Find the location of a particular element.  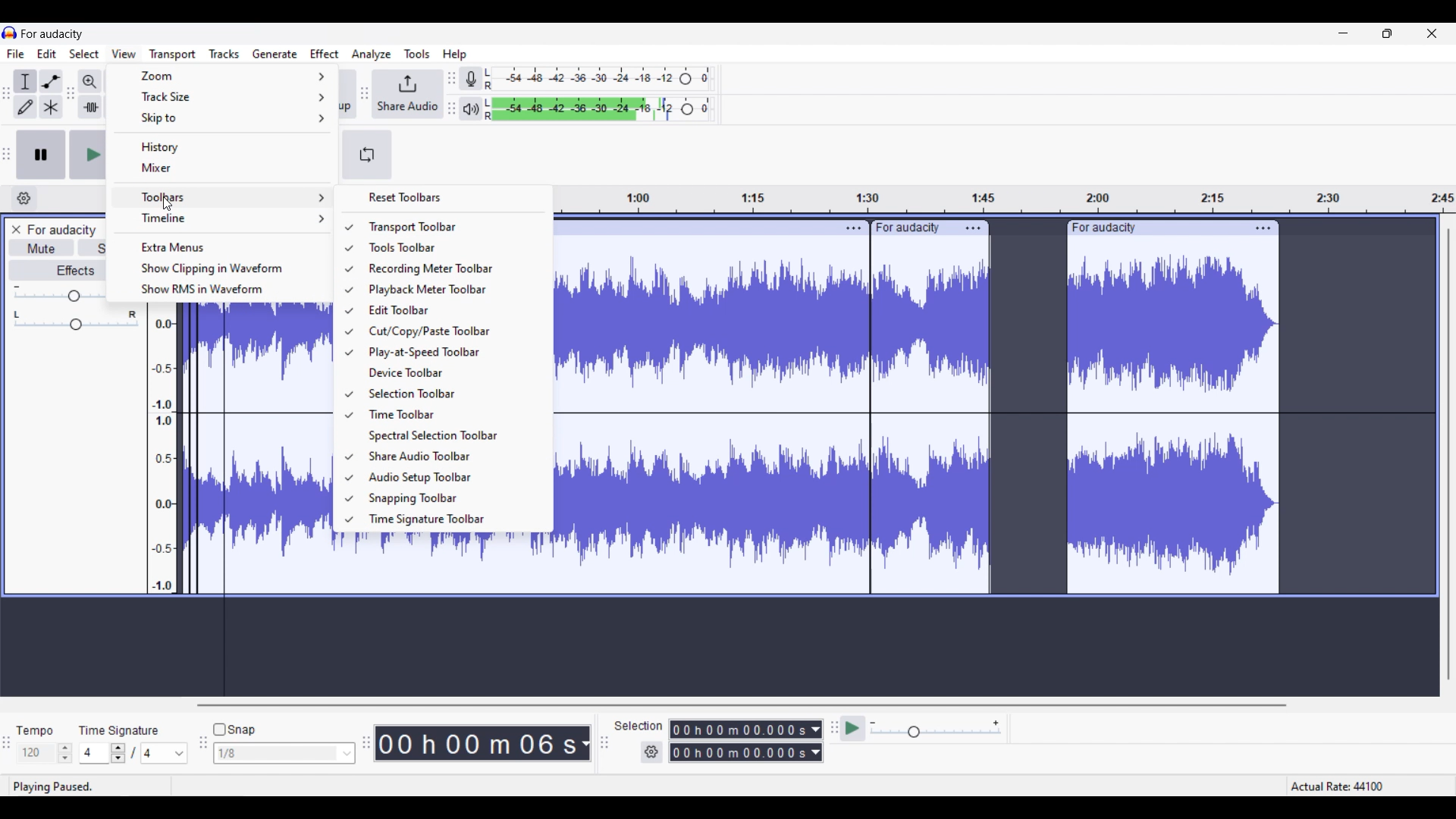

Record meter is located at coordinates (471, 78).